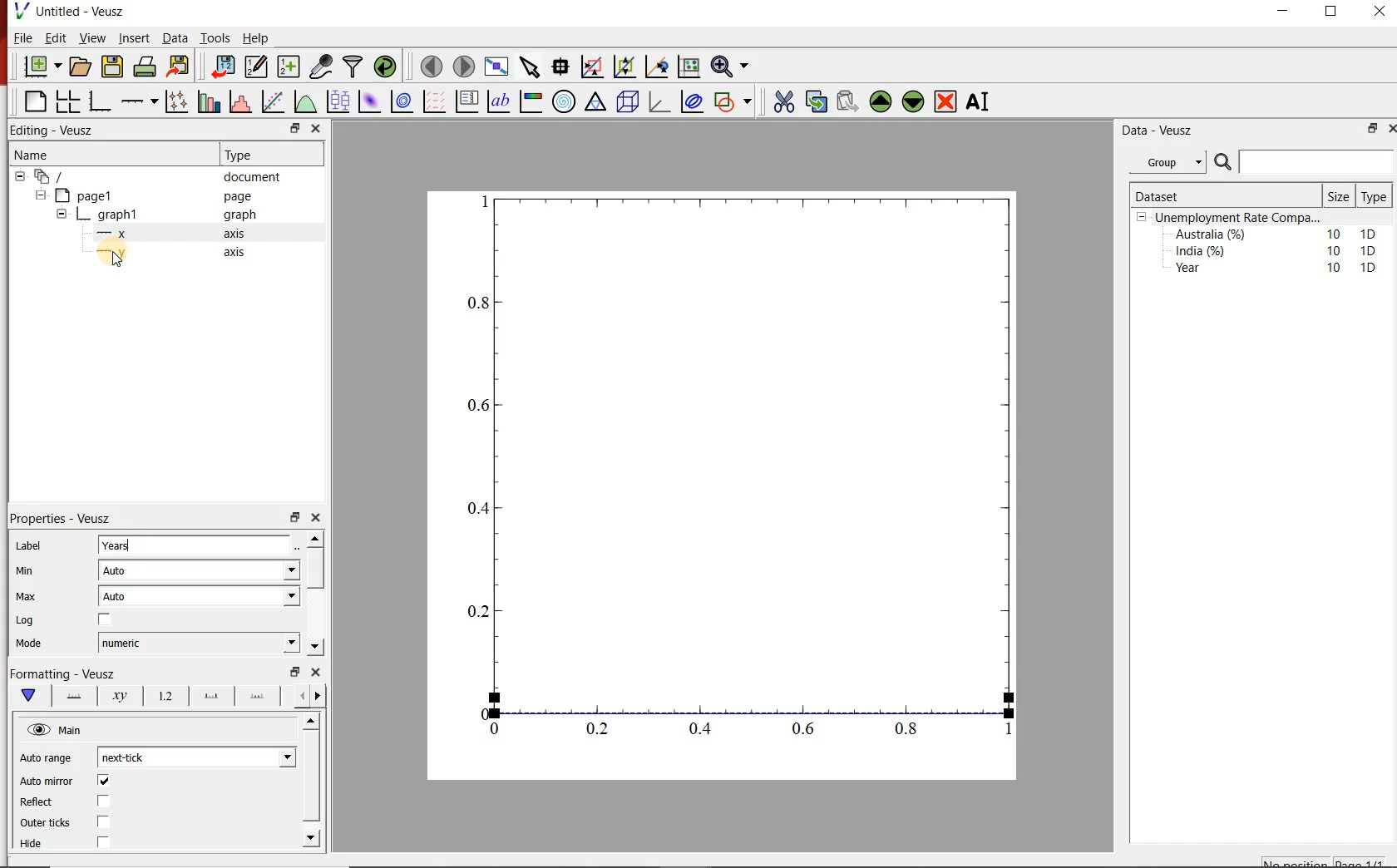 Image resolution: width=1397 pixels, height=868 pixels. I want to click on close, so click(317, 672).